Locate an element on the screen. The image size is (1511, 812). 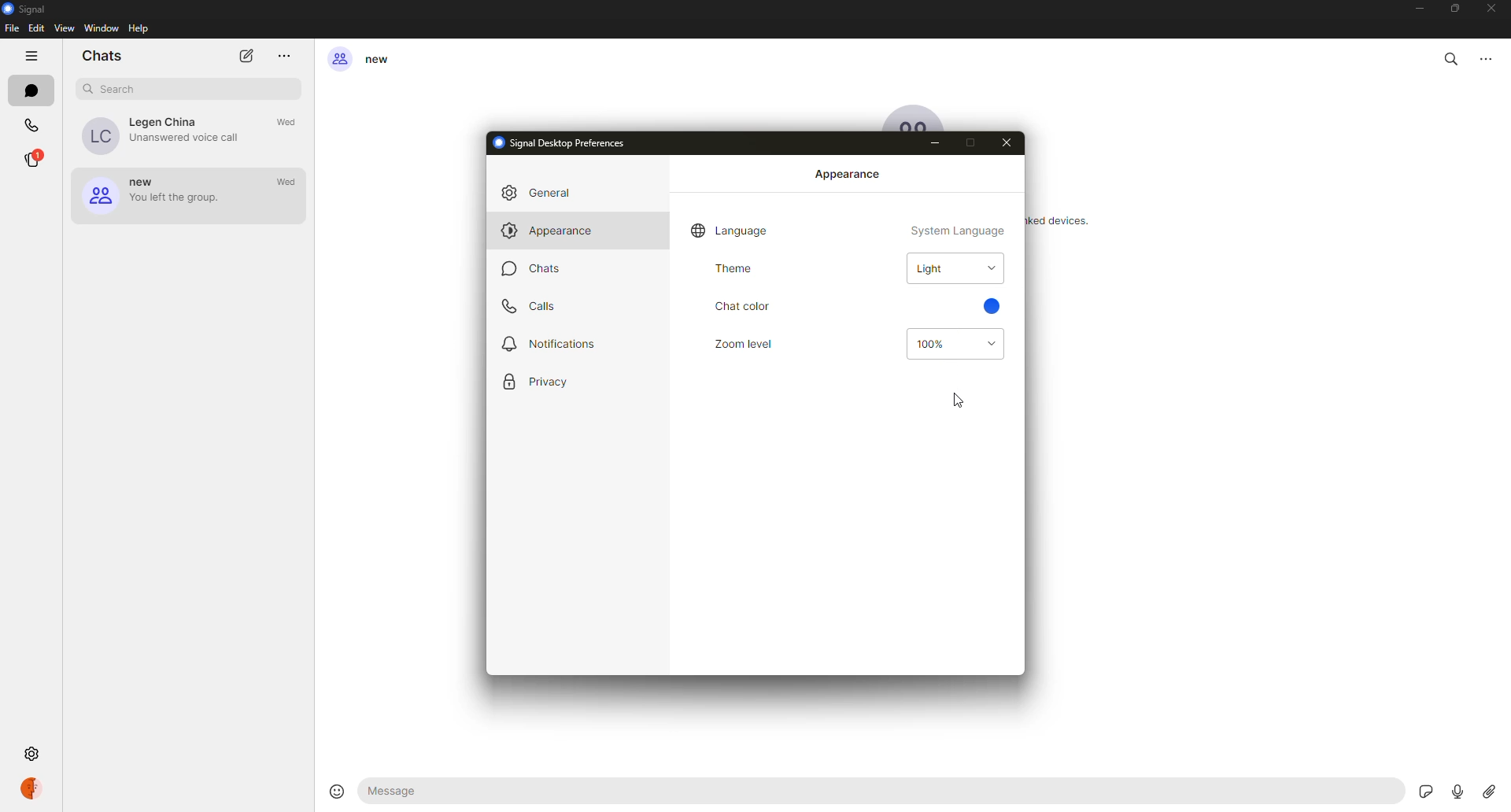
appearance is located at coordinates (850, 175).